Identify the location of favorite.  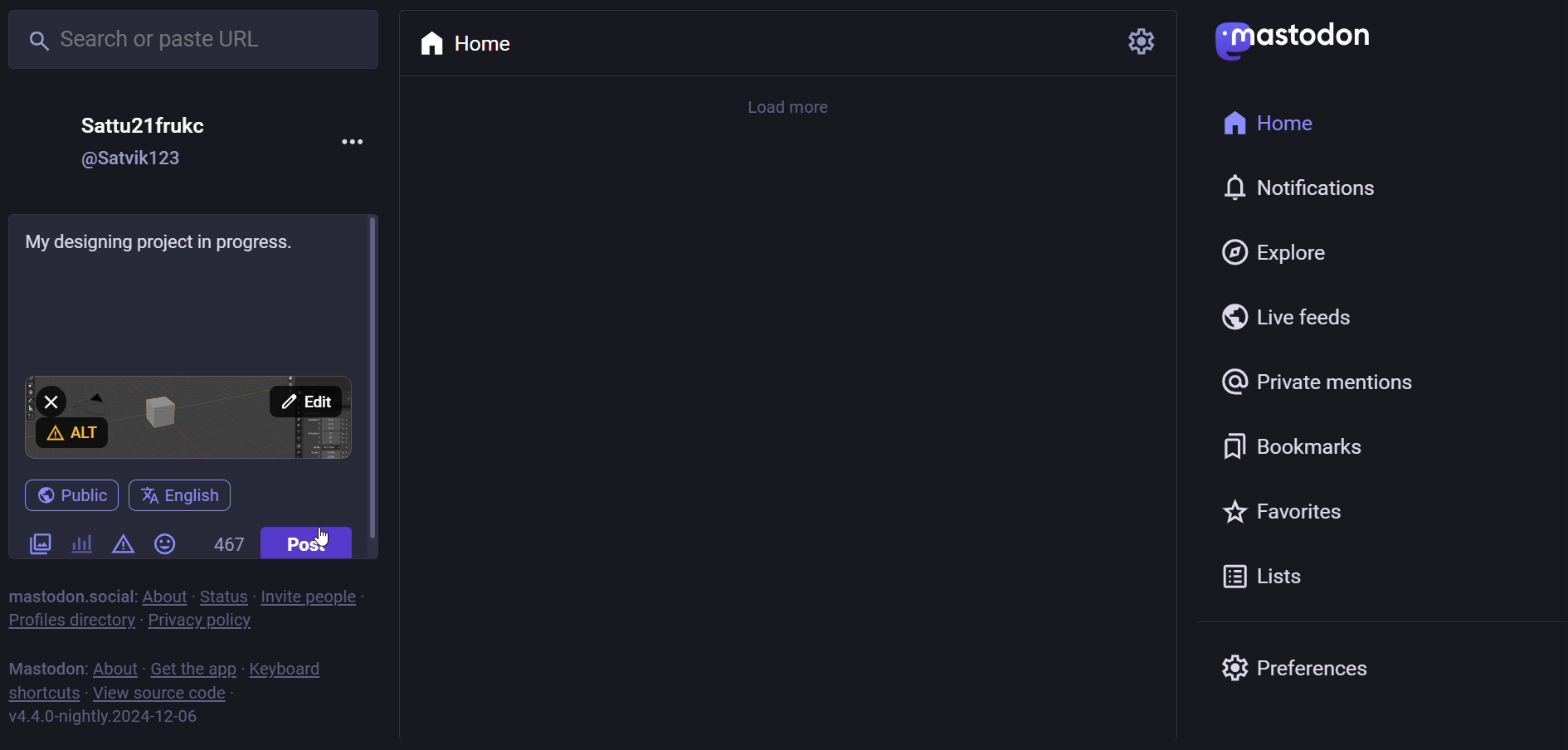
(1286, 514).